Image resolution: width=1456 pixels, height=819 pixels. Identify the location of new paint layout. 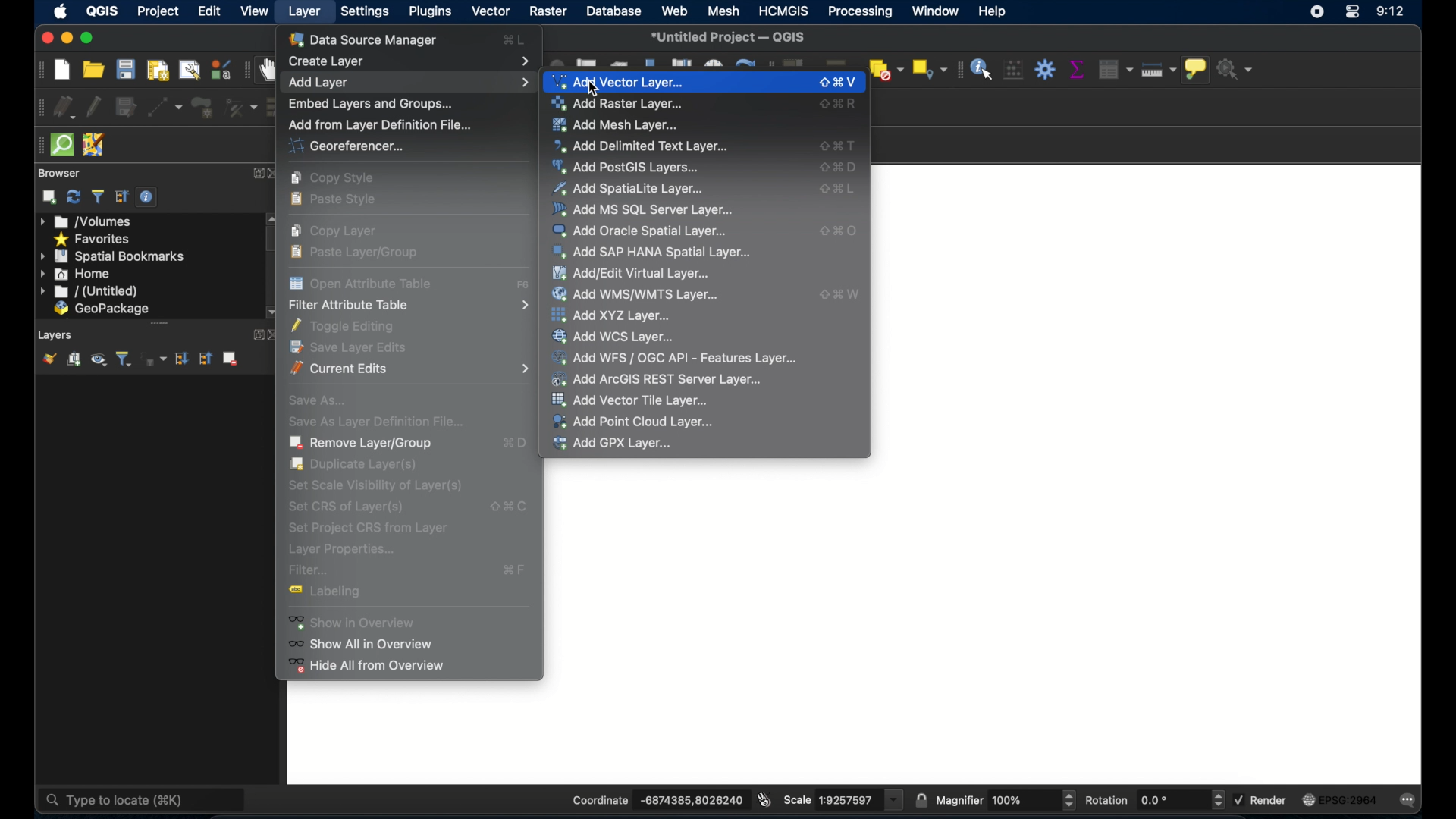
(158, 69).